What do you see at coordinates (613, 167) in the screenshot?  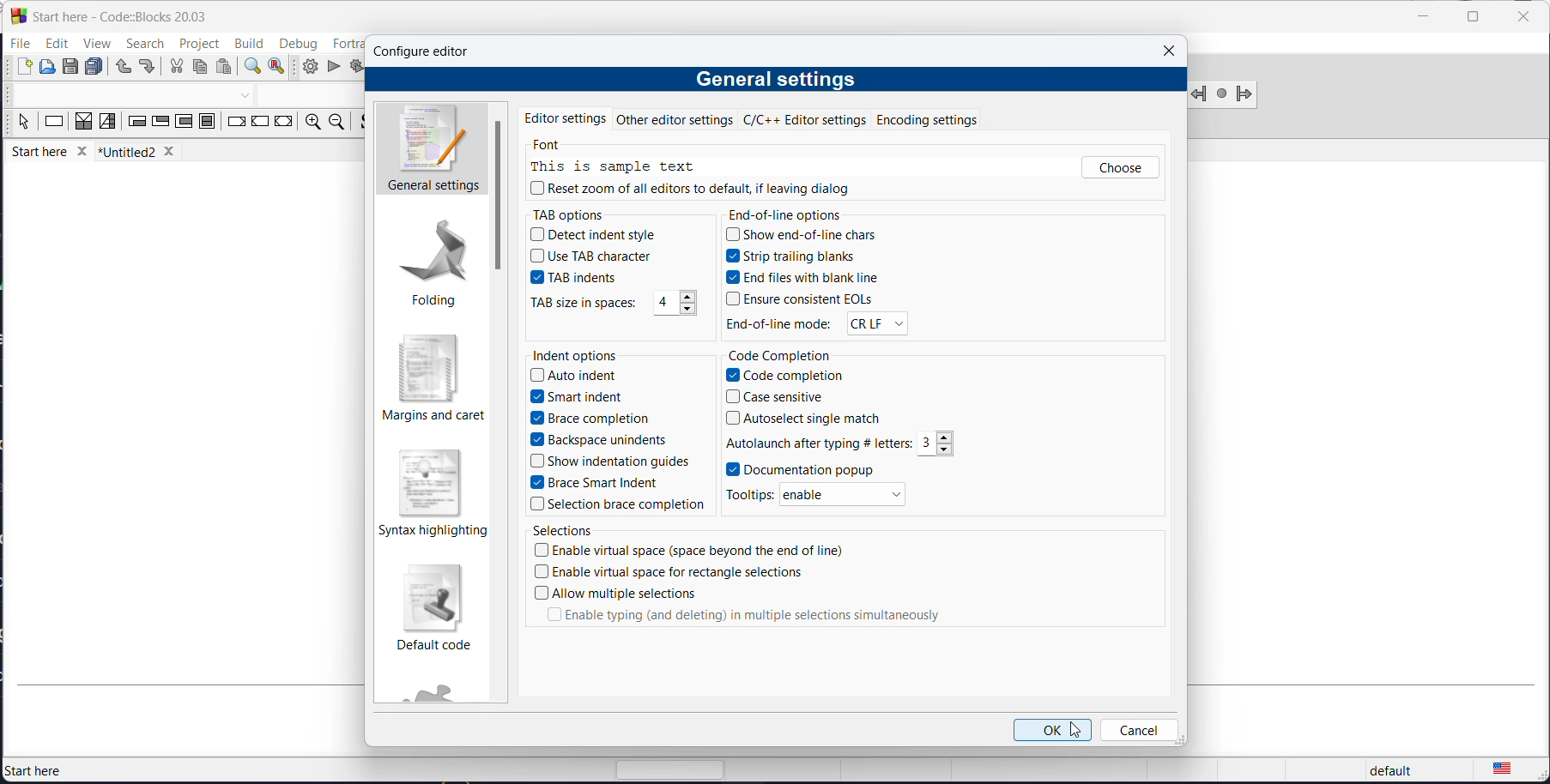 I see `sample text` at bounding box center [613, 167].